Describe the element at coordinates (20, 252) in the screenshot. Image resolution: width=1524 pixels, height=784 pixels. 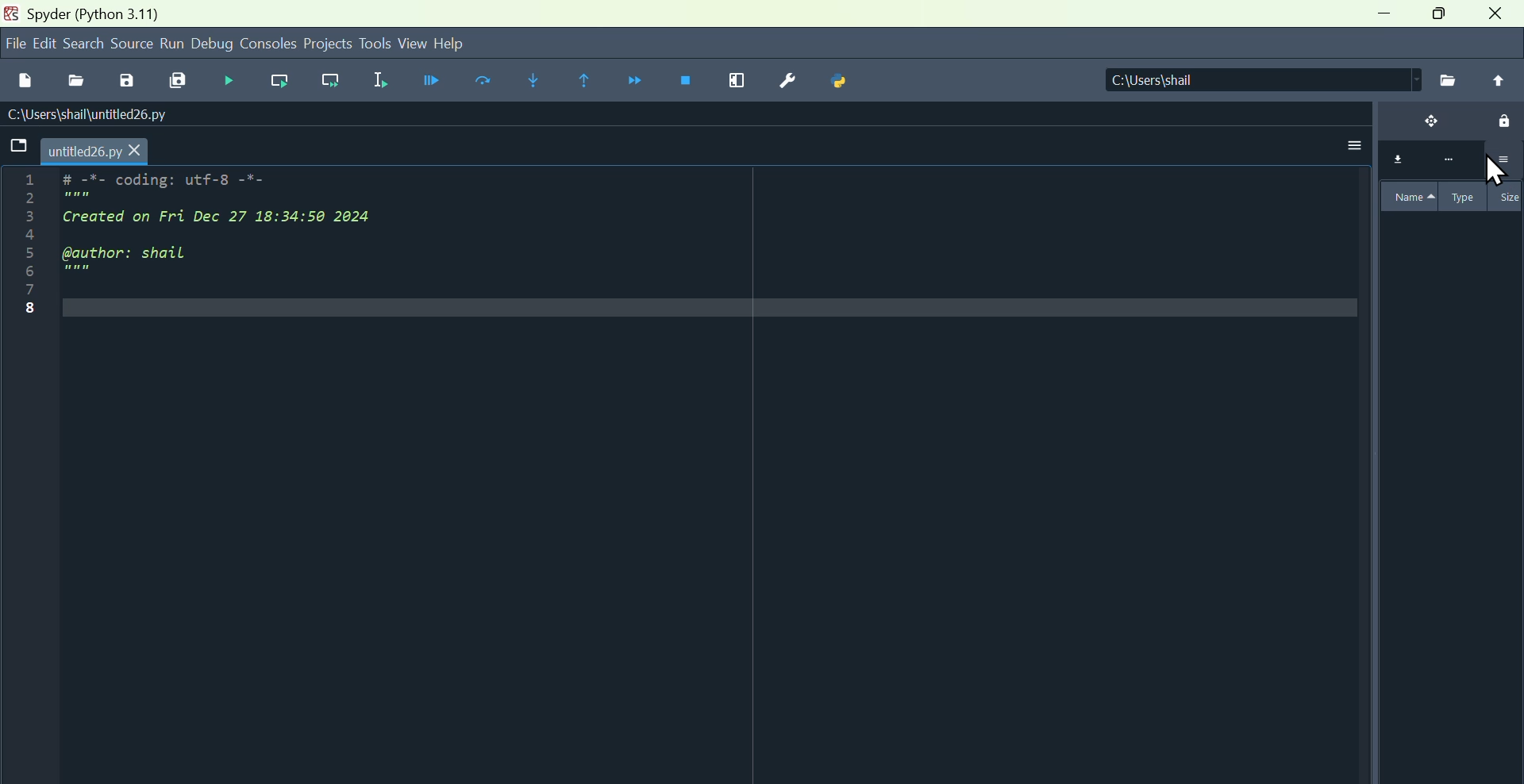
I see `Line numbers` at that location.